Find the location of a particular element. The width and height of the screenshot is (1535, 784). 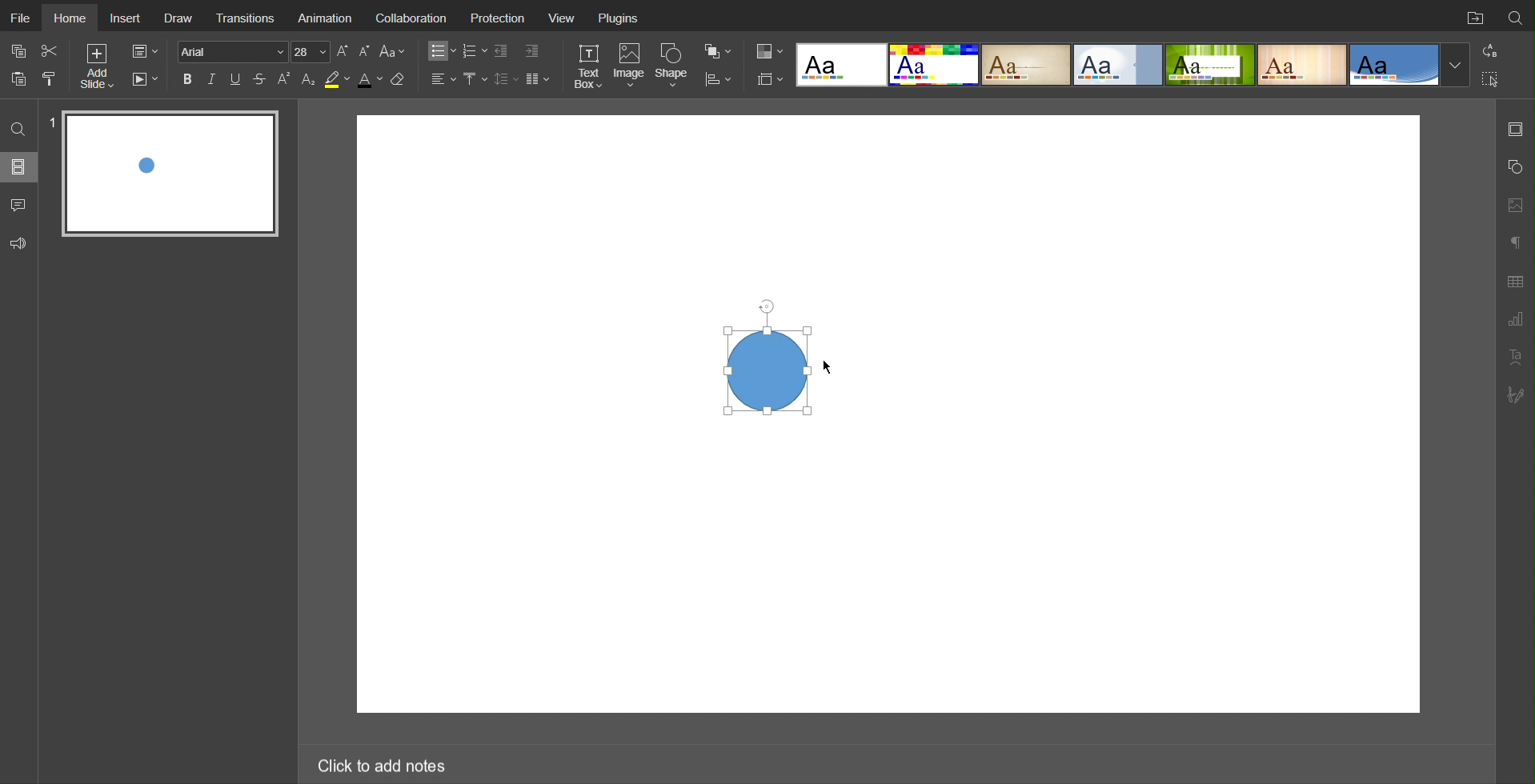

Playback Settings is located at coordinates (145, 79).